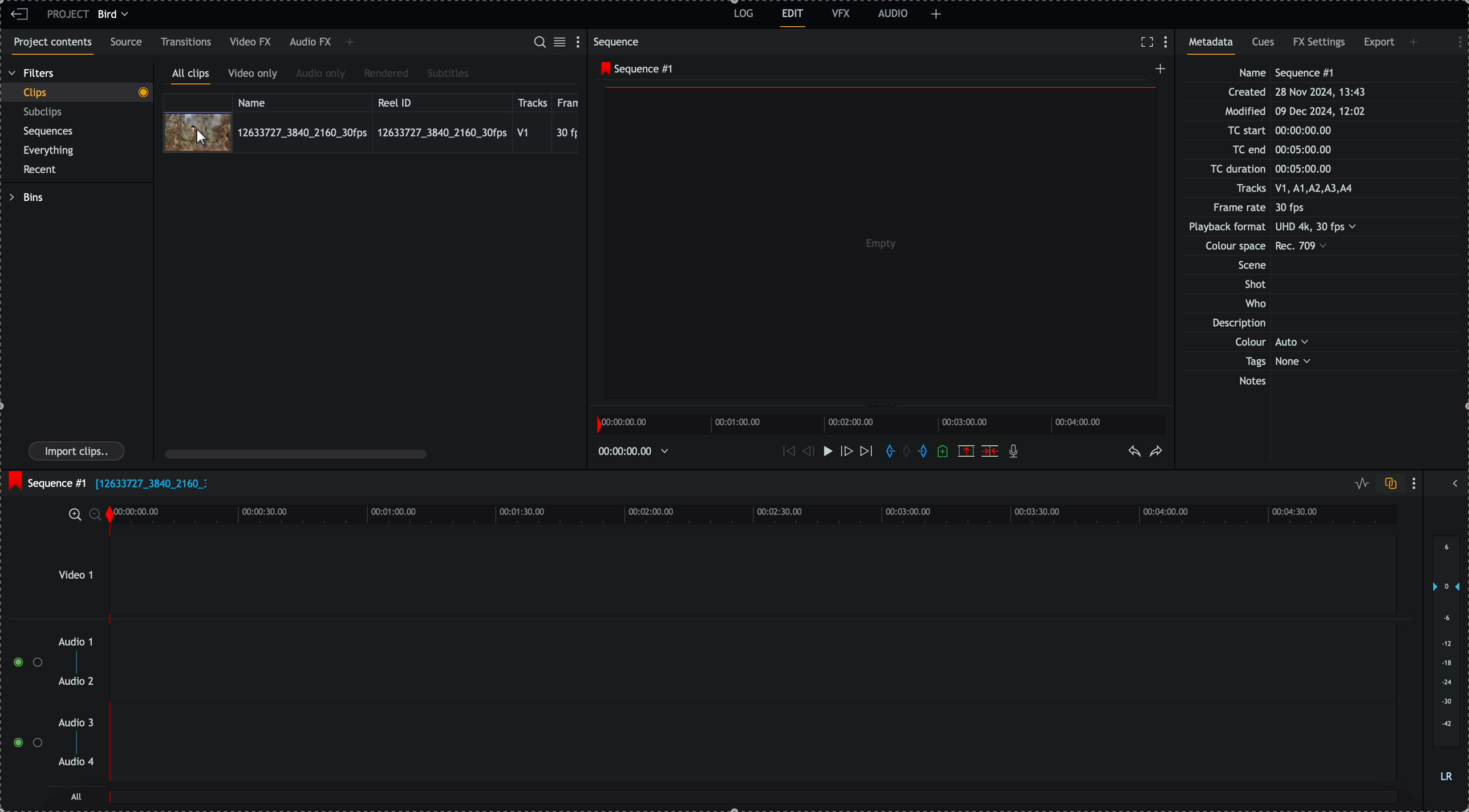 The height and width of the screenshot is (812, 1469). I want to click on timeline, so click(884, 423).